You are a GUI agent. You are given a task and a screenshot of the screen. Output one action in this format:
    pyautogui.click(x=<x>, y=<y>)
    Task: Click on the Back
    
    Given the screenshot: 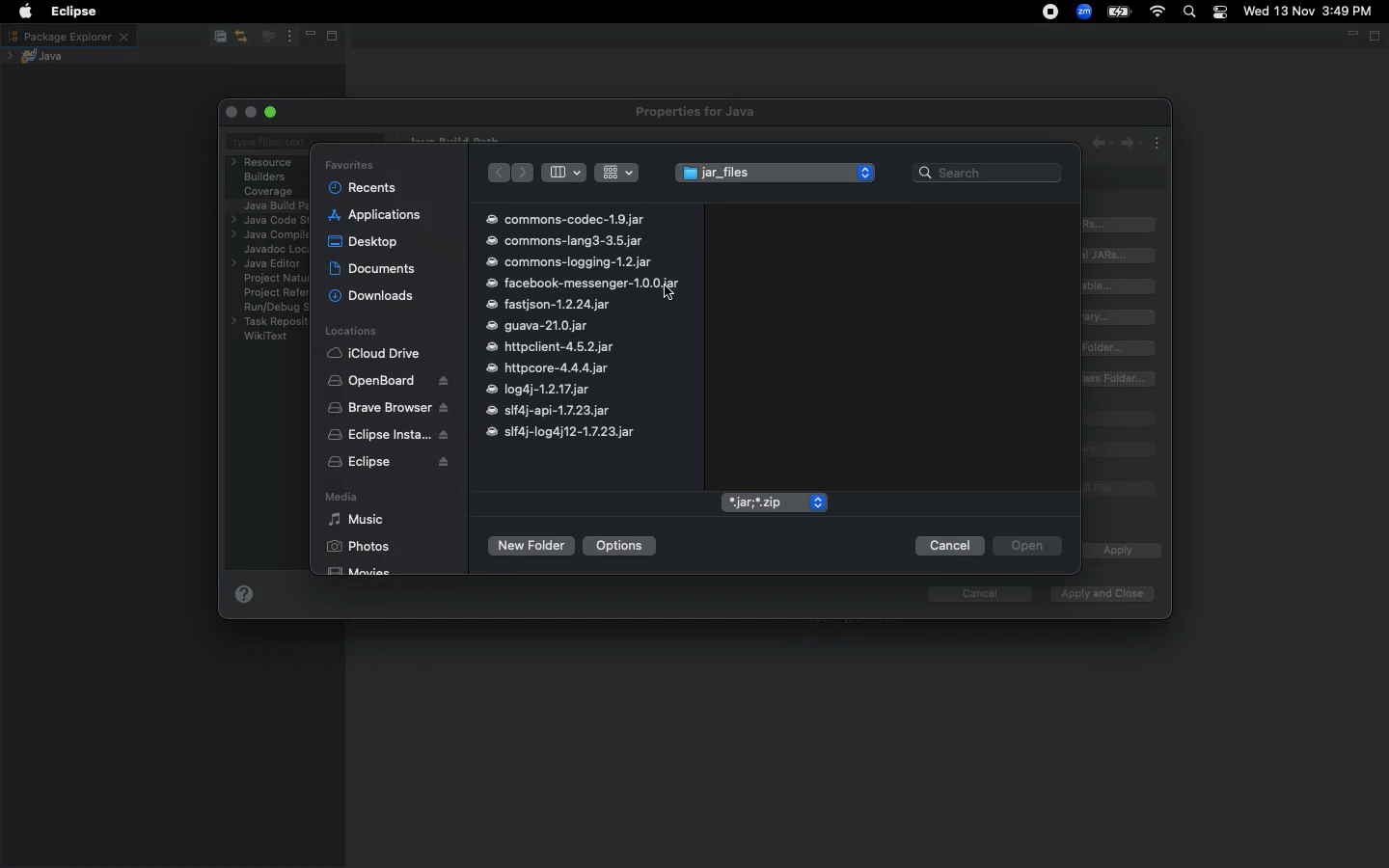 What is the action you would take?
    pyautogui.click(x=497, y=174)
    